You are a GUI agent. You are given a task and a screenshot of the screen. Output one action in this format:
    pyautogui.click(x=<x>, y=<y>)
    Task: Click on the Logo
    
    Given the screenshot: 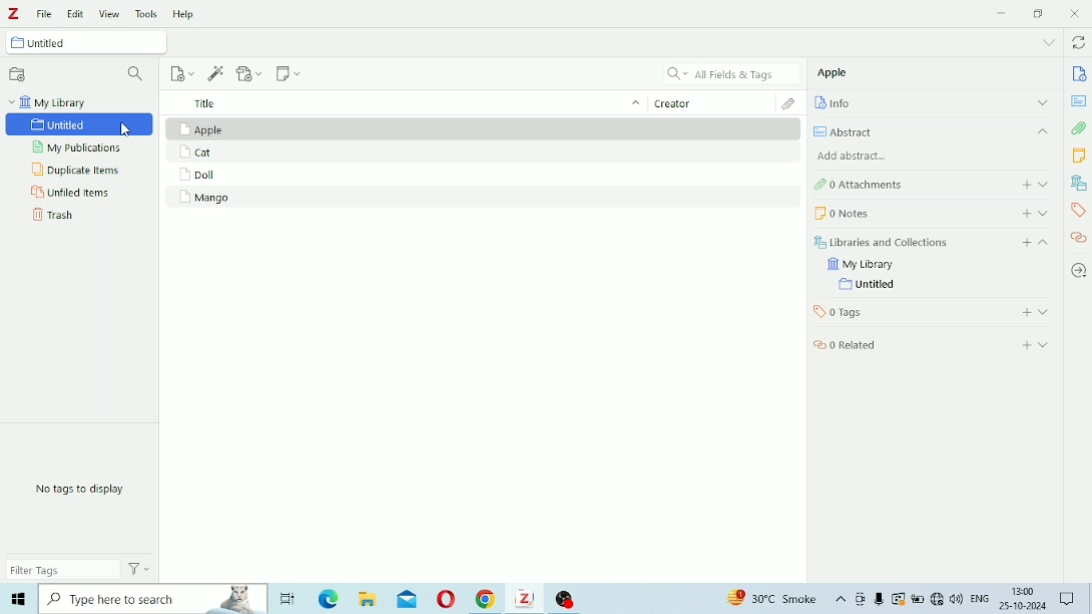 What is the action you would take?
    pyautogui.click(x=15, y=13)
    